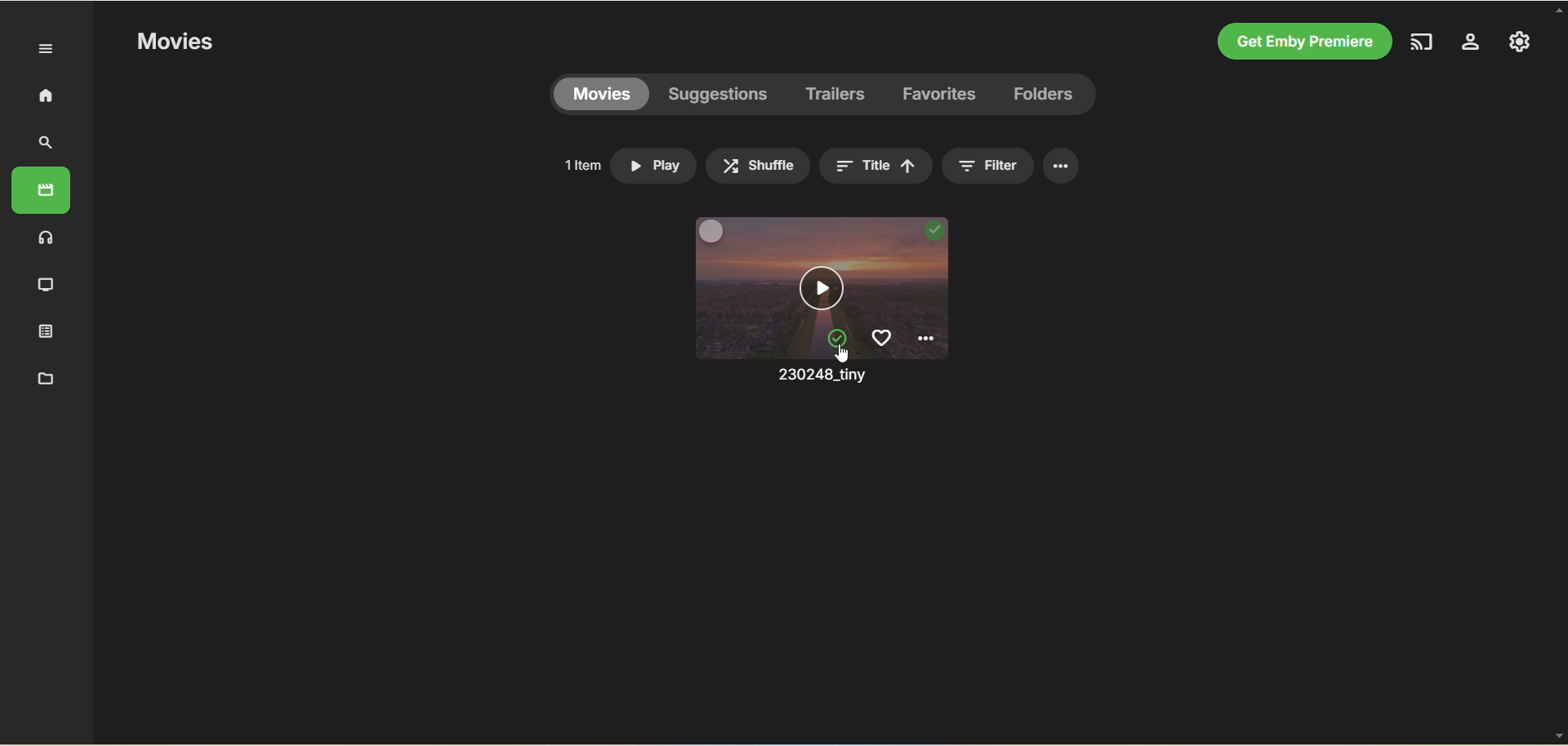 The width and height of the screenshot is (1568, 746). Describe the element at coordinates (1062, 167) in the screenshot. I see `options` at that location.